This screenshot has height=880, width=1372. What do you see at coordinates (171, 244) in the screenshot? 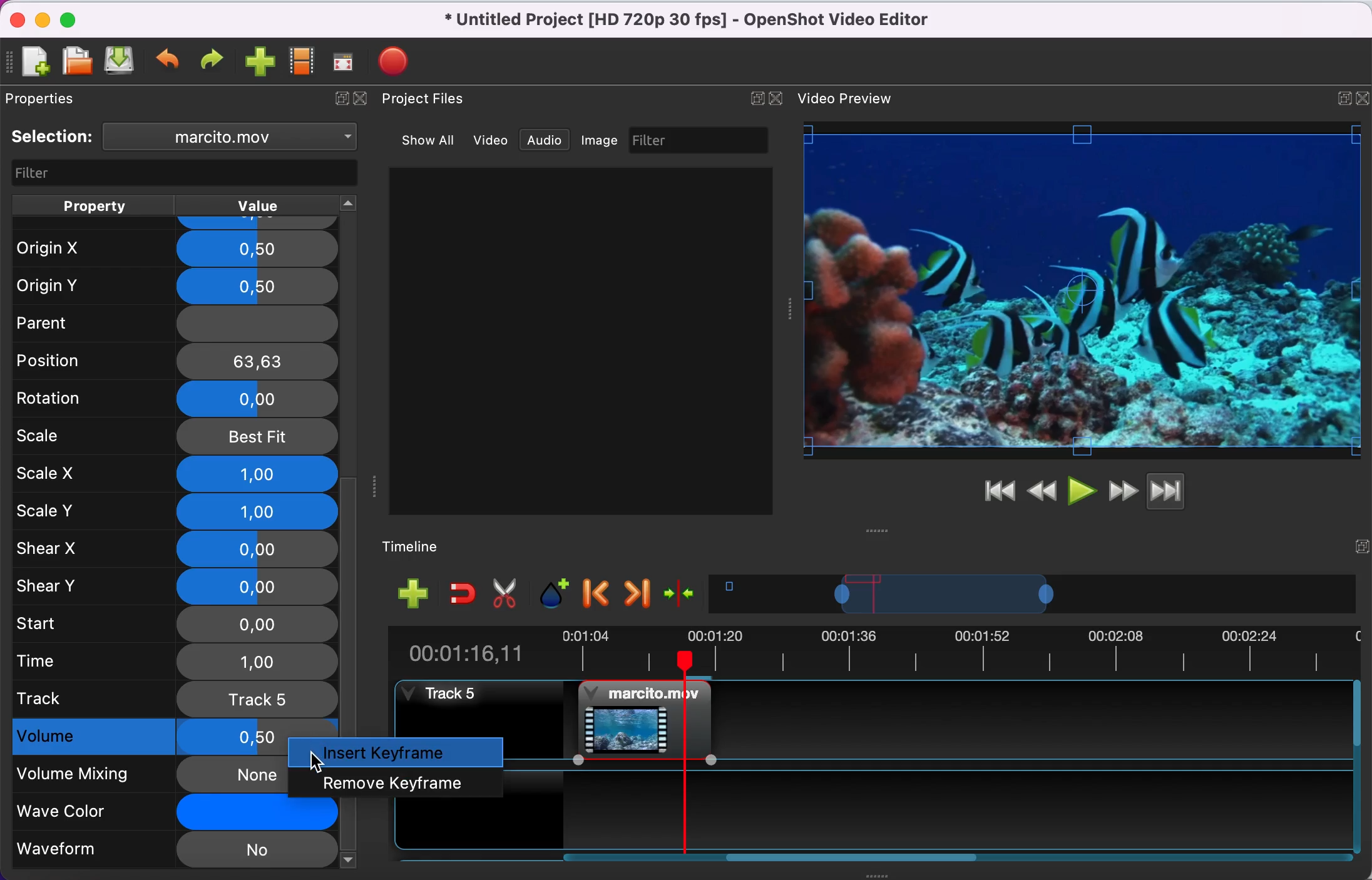
I see `origin x` at bounding box center [171, 244].